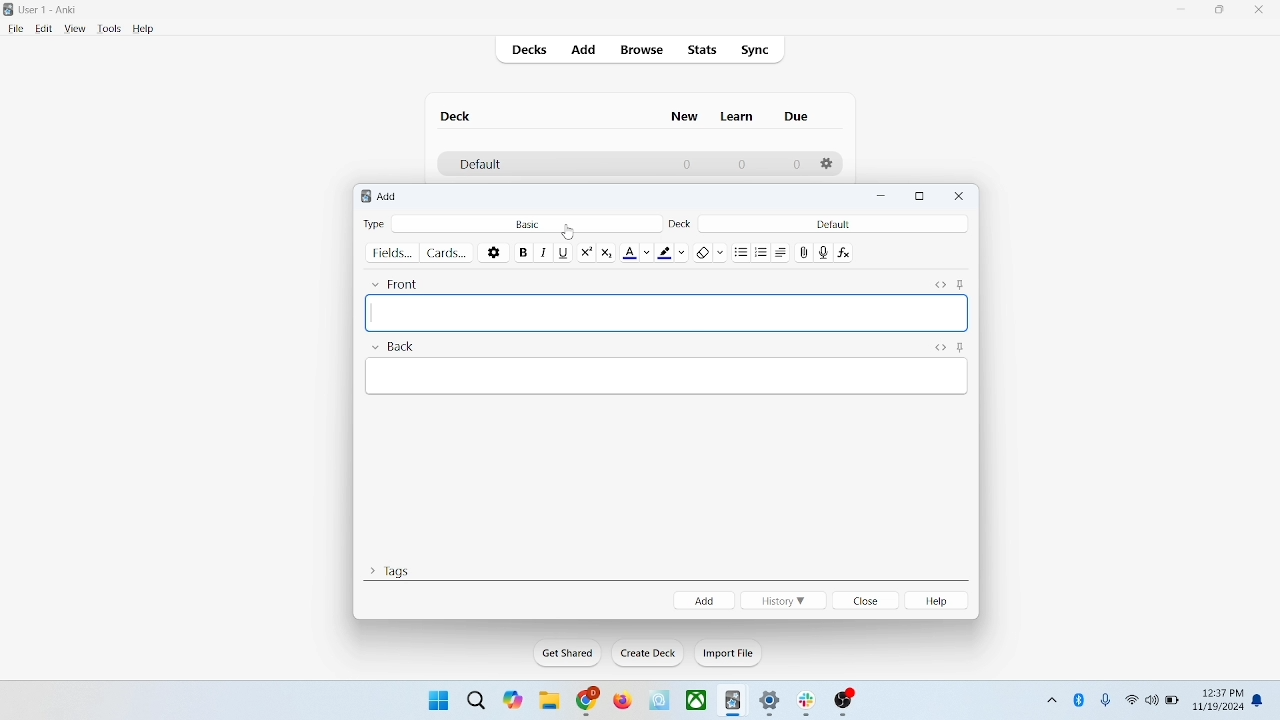 The image size is (1280, 720). What do you see at coordinates (586, 252) in the screenshot?
I see `superscript` at bounding box center [586, 252].